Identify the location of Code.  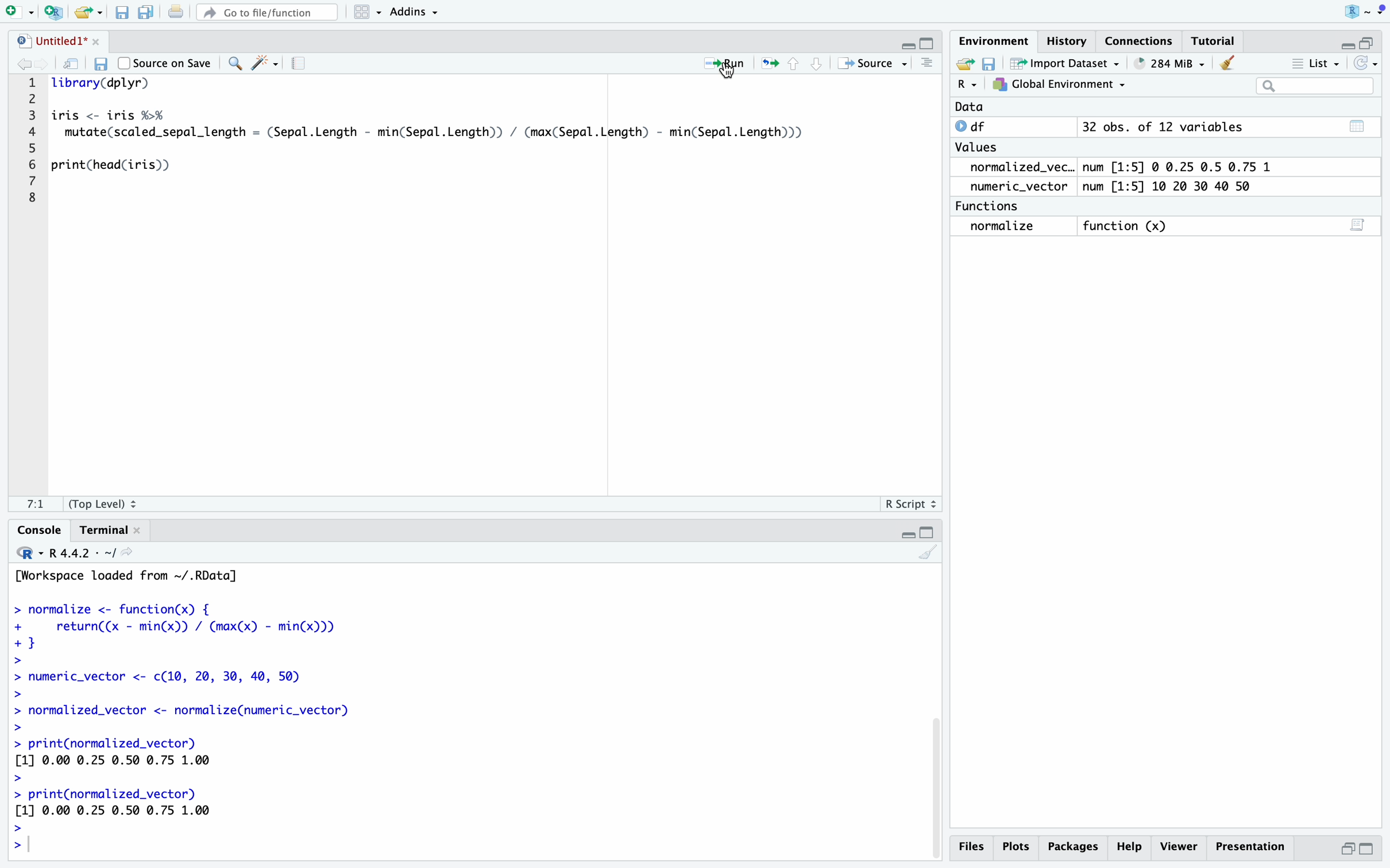
(236, 720).